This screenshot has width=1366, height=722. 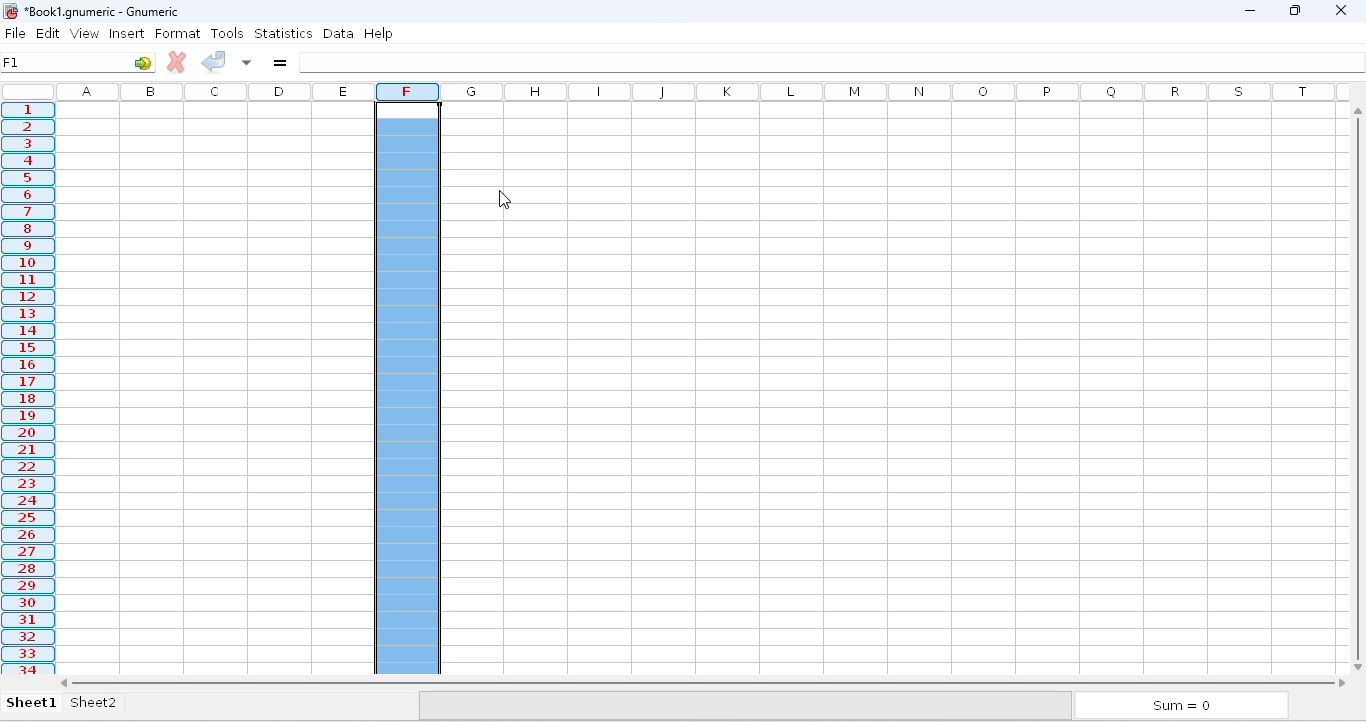 I want to click on sheet1, so click(x=33, y=704).